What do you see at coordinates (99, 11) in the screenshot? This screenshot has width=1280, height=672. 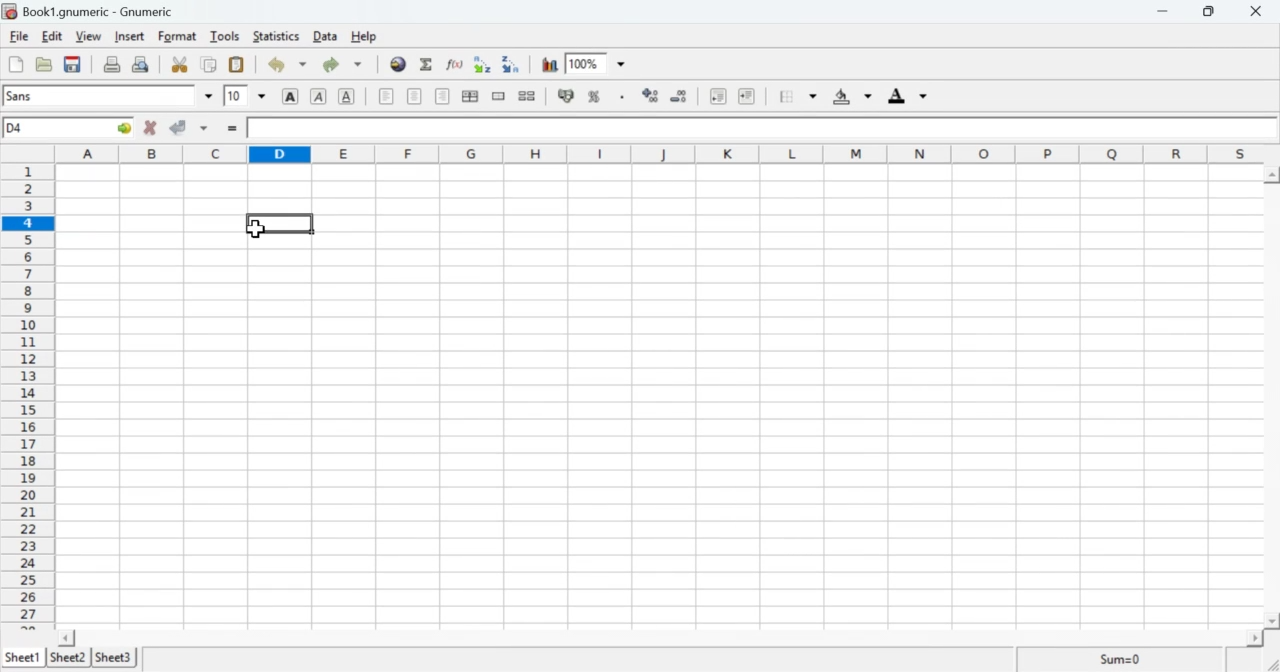 I see `Book1.gnumeric - Gnumeric` at bounding box center [99, 11].